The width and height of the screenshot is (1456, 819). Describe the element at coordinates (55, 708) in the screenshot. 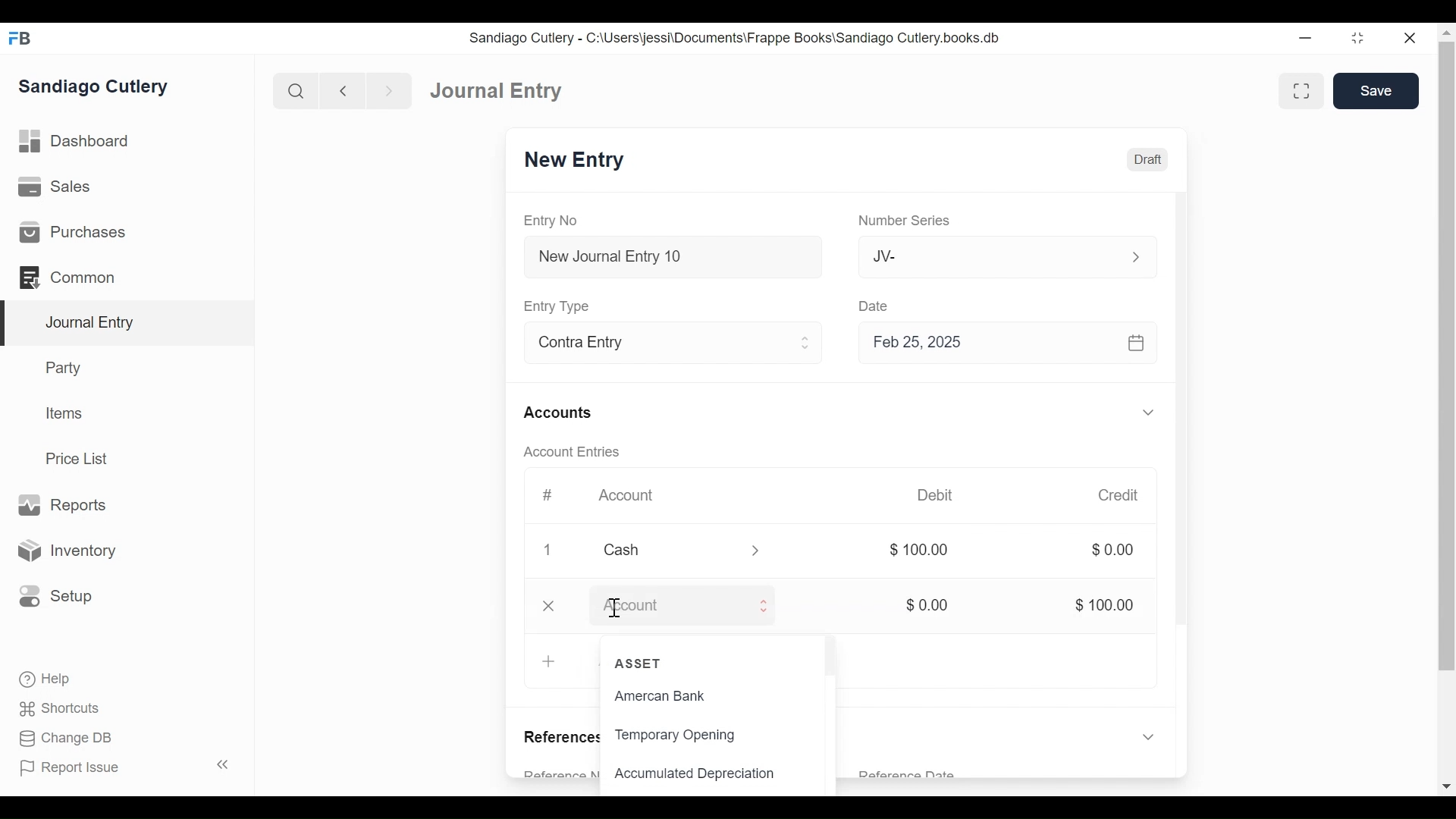

I see `Shortcuts` at that location.